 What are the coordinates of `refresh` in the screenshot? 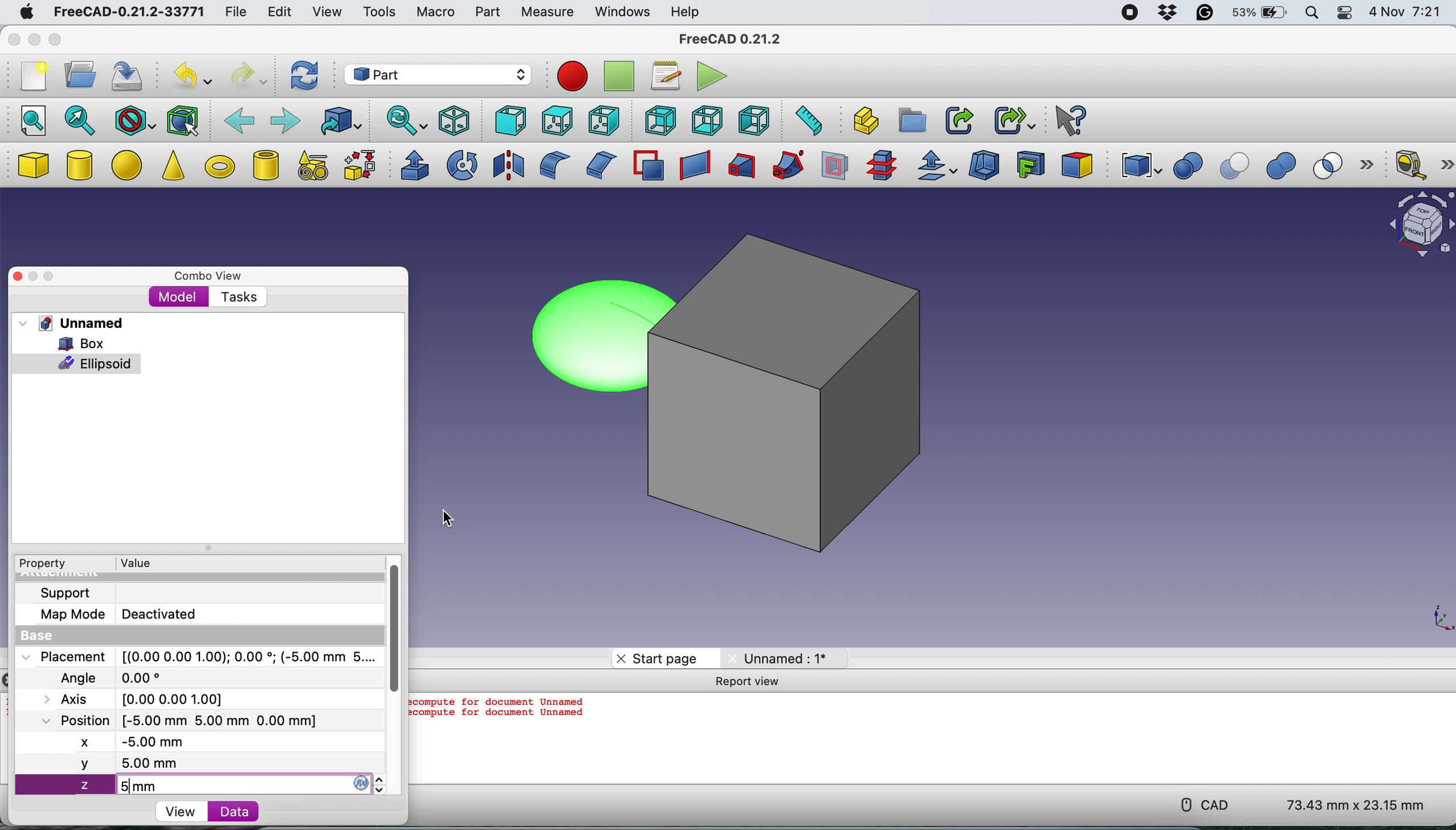 It's located at (304, 76).